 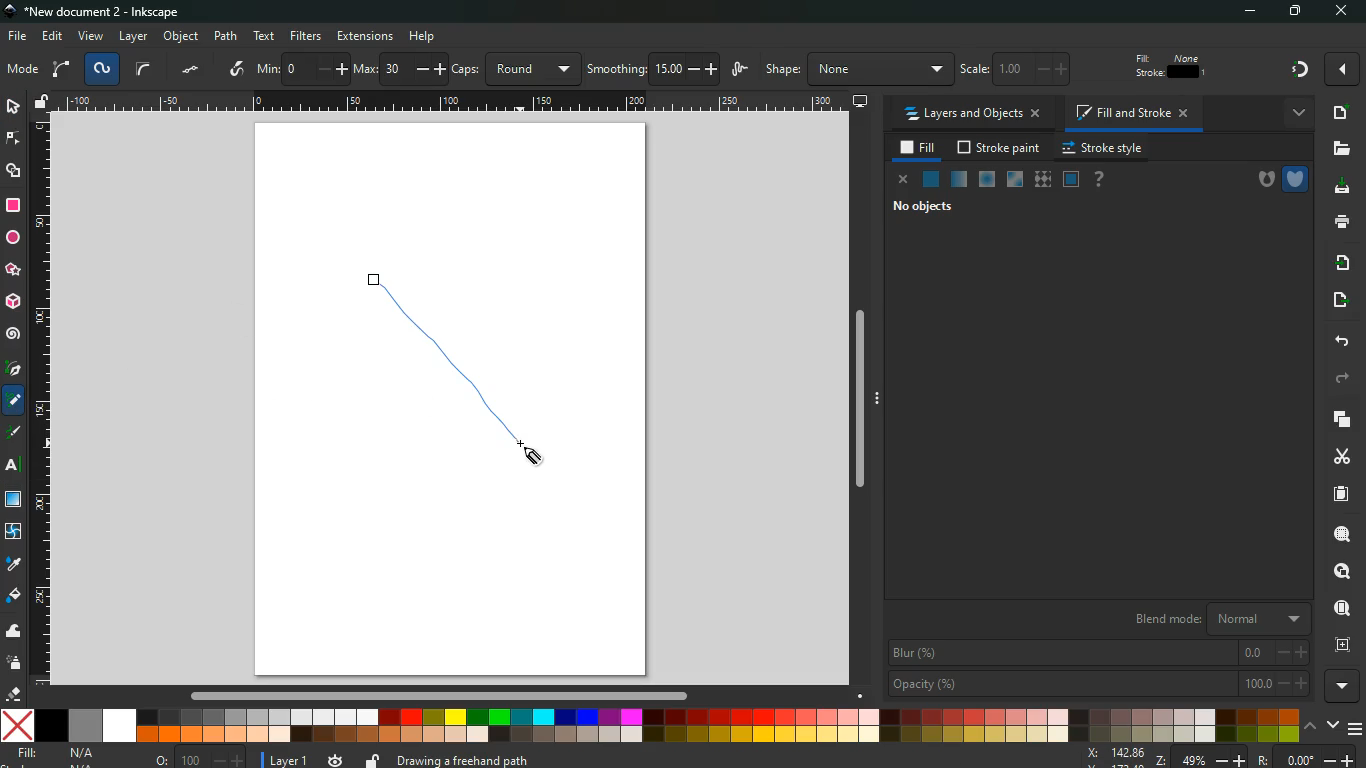 I want to click on receive, so click(x=1339, y=261).